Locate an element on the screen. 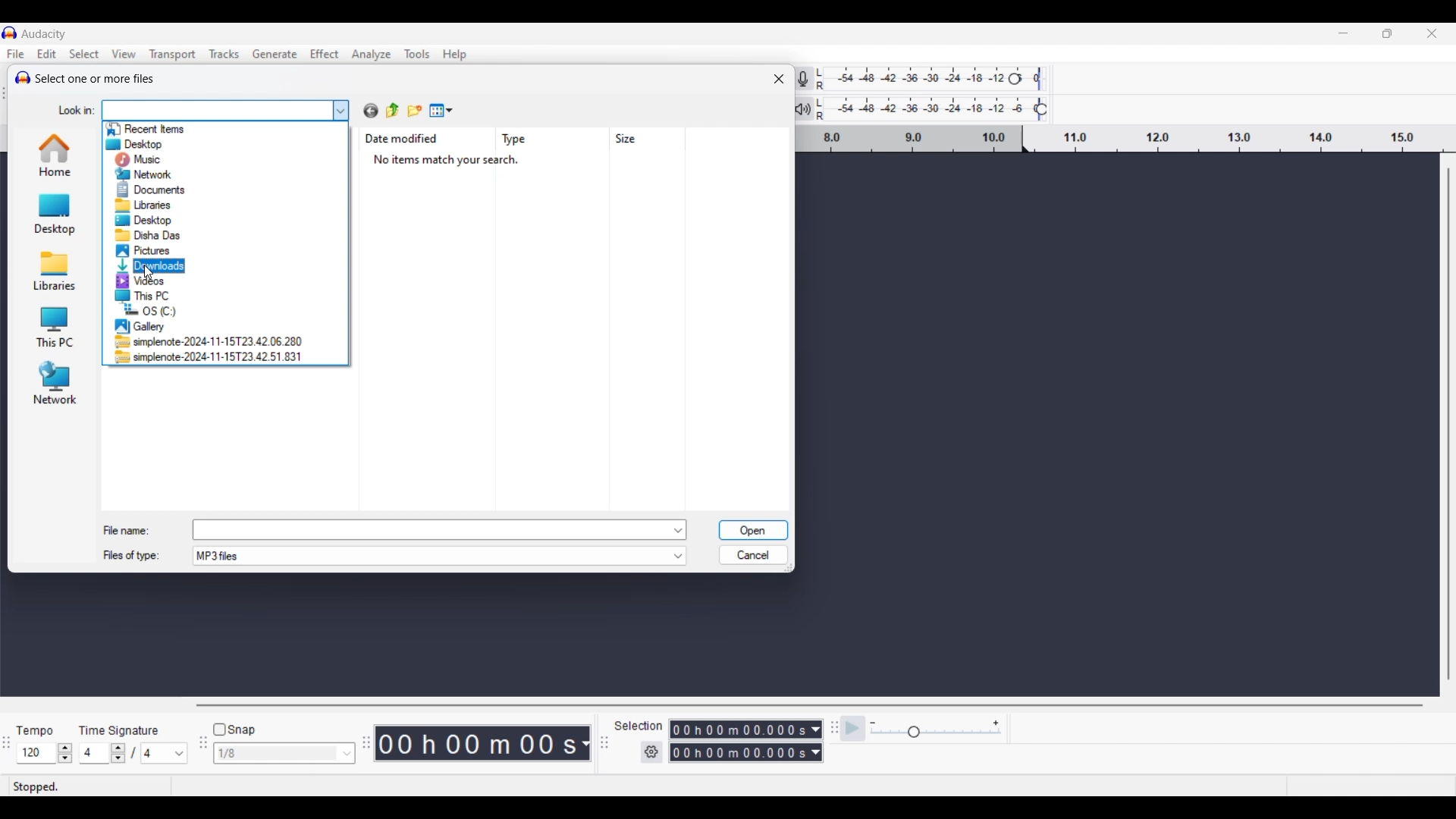 The image size is (1456, 819). Recording level is located at coordinates (940, 80).